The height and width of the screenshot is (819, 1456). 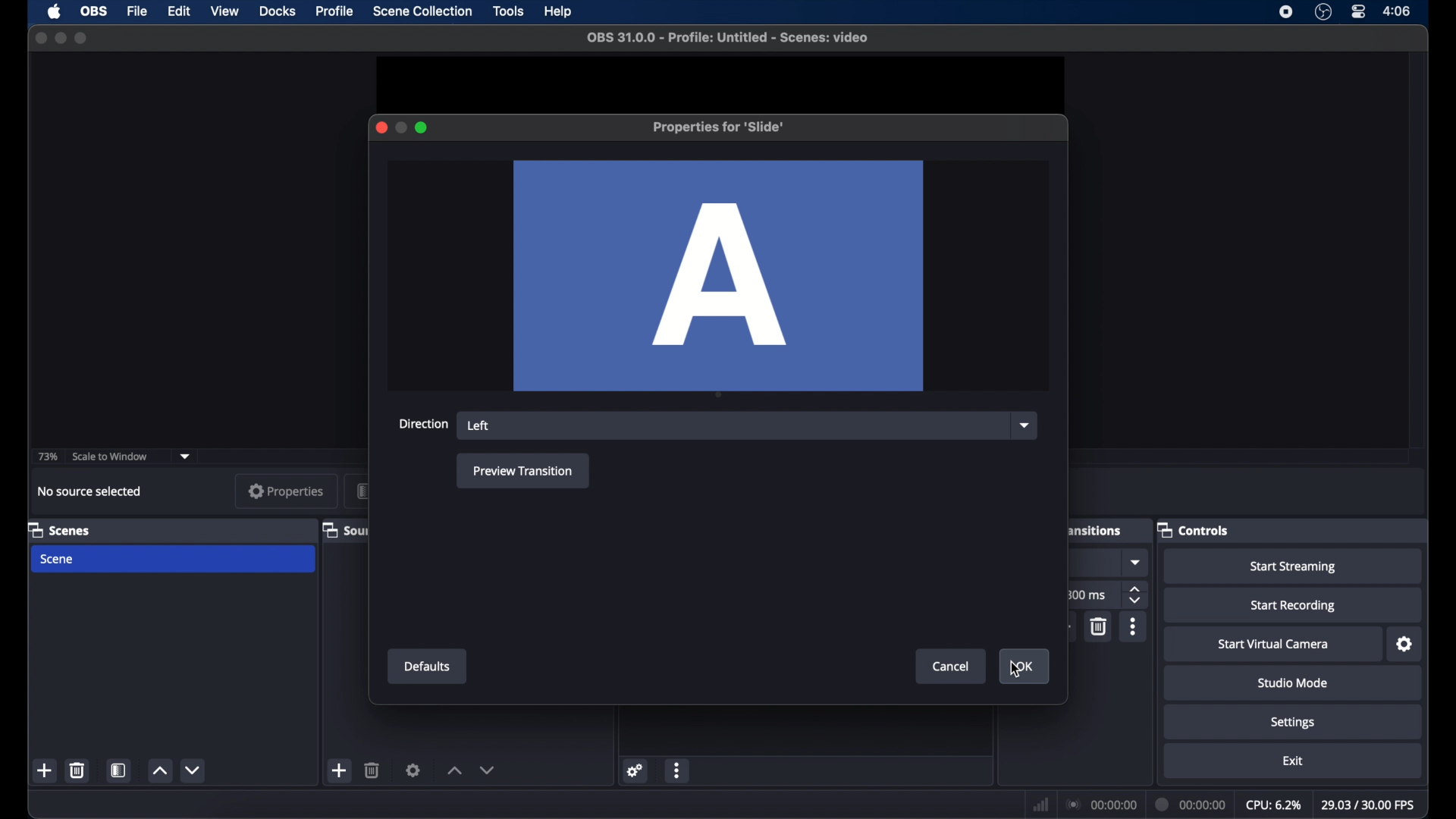 What do you see at coordinates (400, 127) in the screenshot?
I see `minimize` at bounding box center [400, 127].